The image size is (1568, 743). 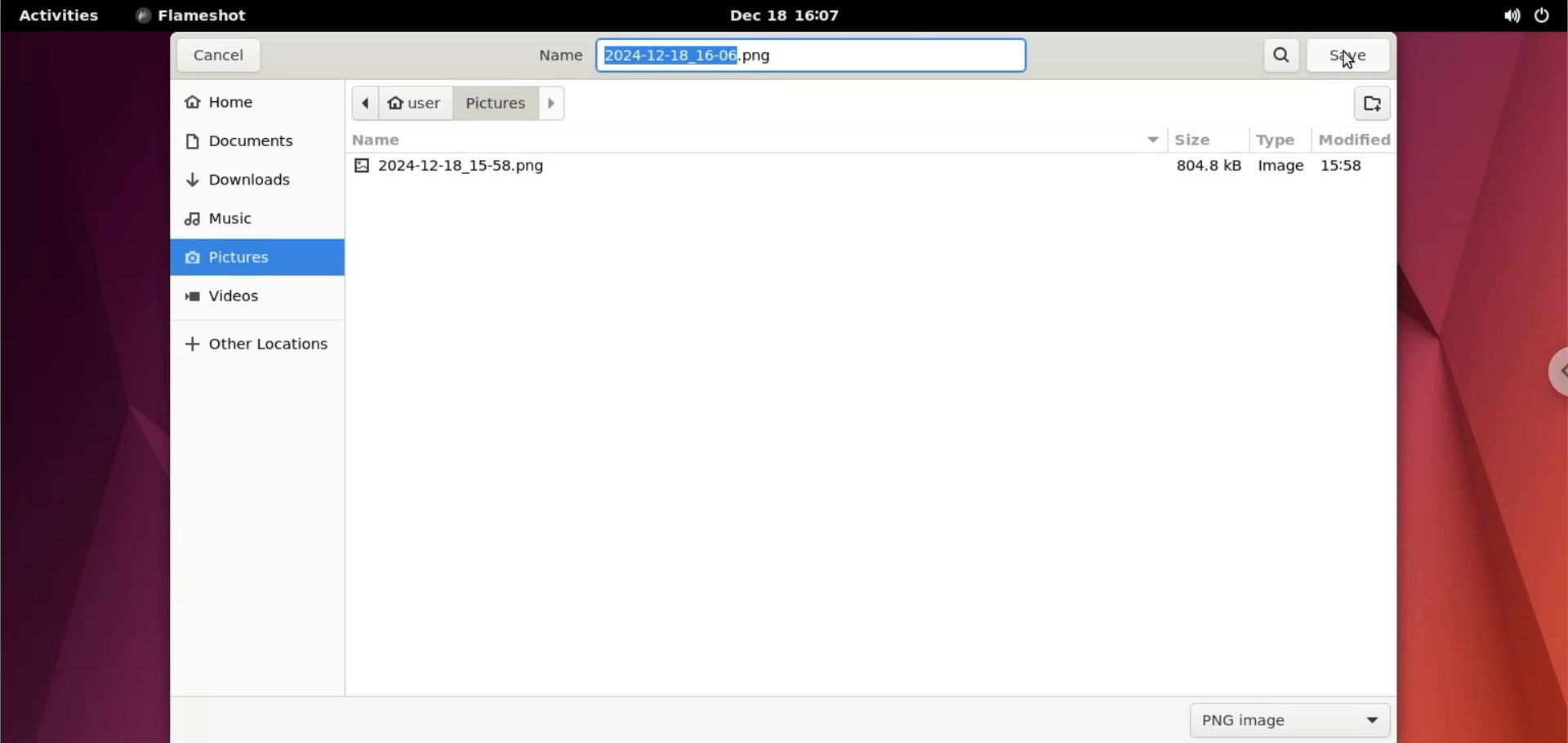 I want to click on cancel, so click(x=218, y=56).